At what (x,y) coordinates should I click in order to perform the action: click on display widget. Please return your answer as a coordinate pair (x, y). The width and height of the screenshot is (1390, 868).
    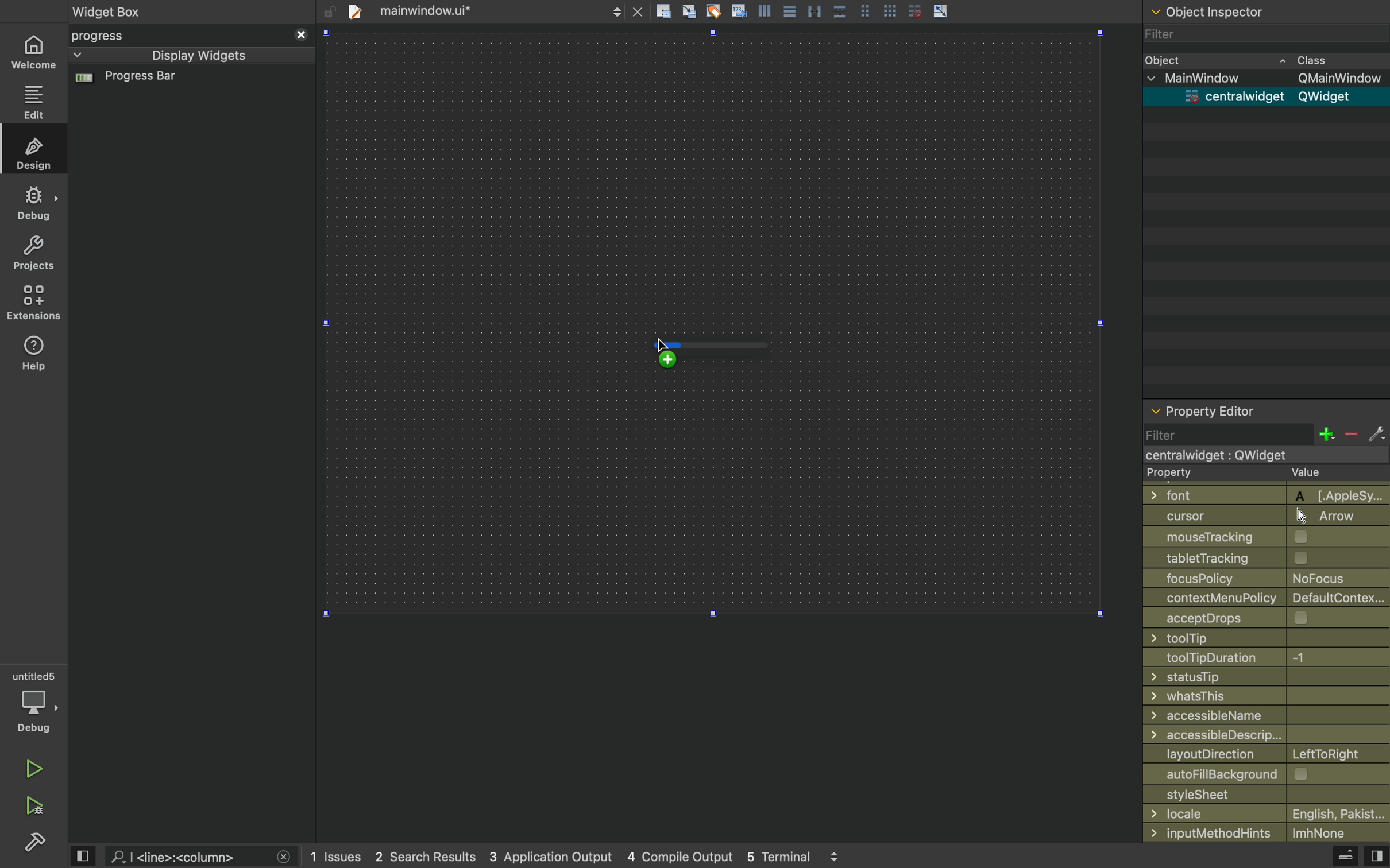
    Looking at the image, I should click on (176, 55).